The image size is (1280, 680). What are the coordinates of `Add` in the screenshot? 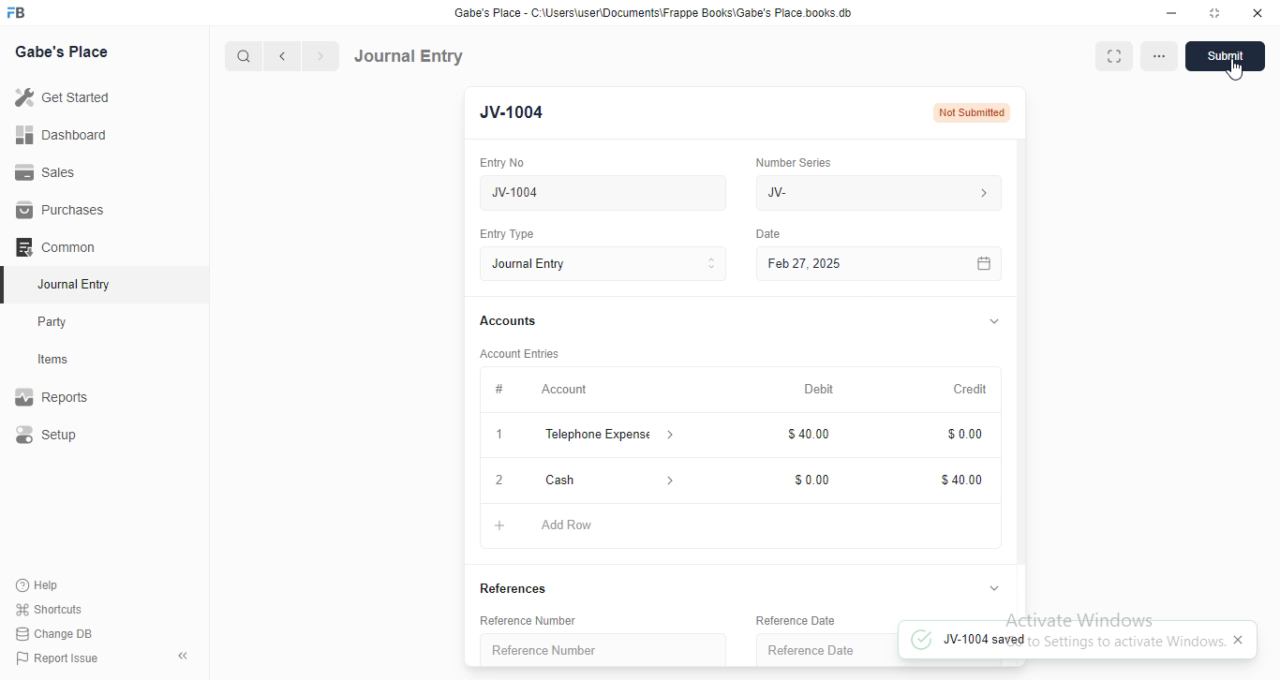 It's located at (495, 525).